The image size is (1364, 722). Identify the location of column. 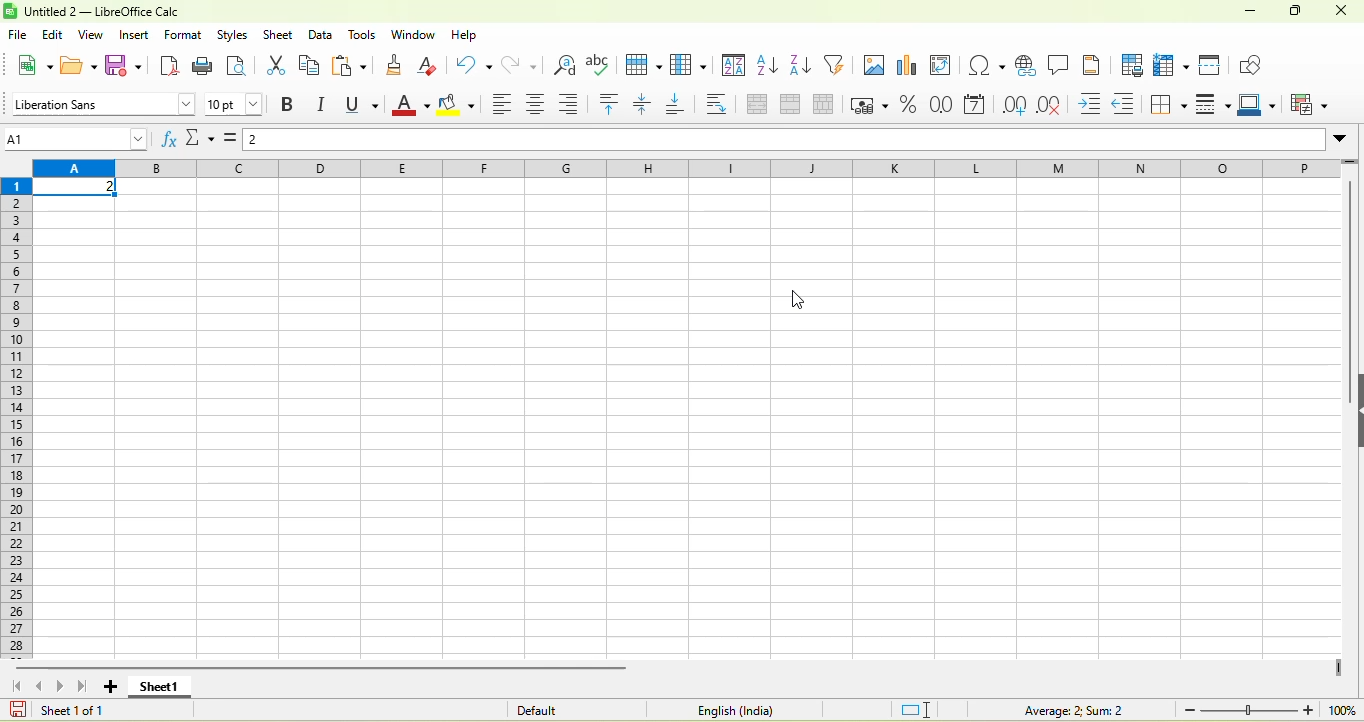
(692, 66).